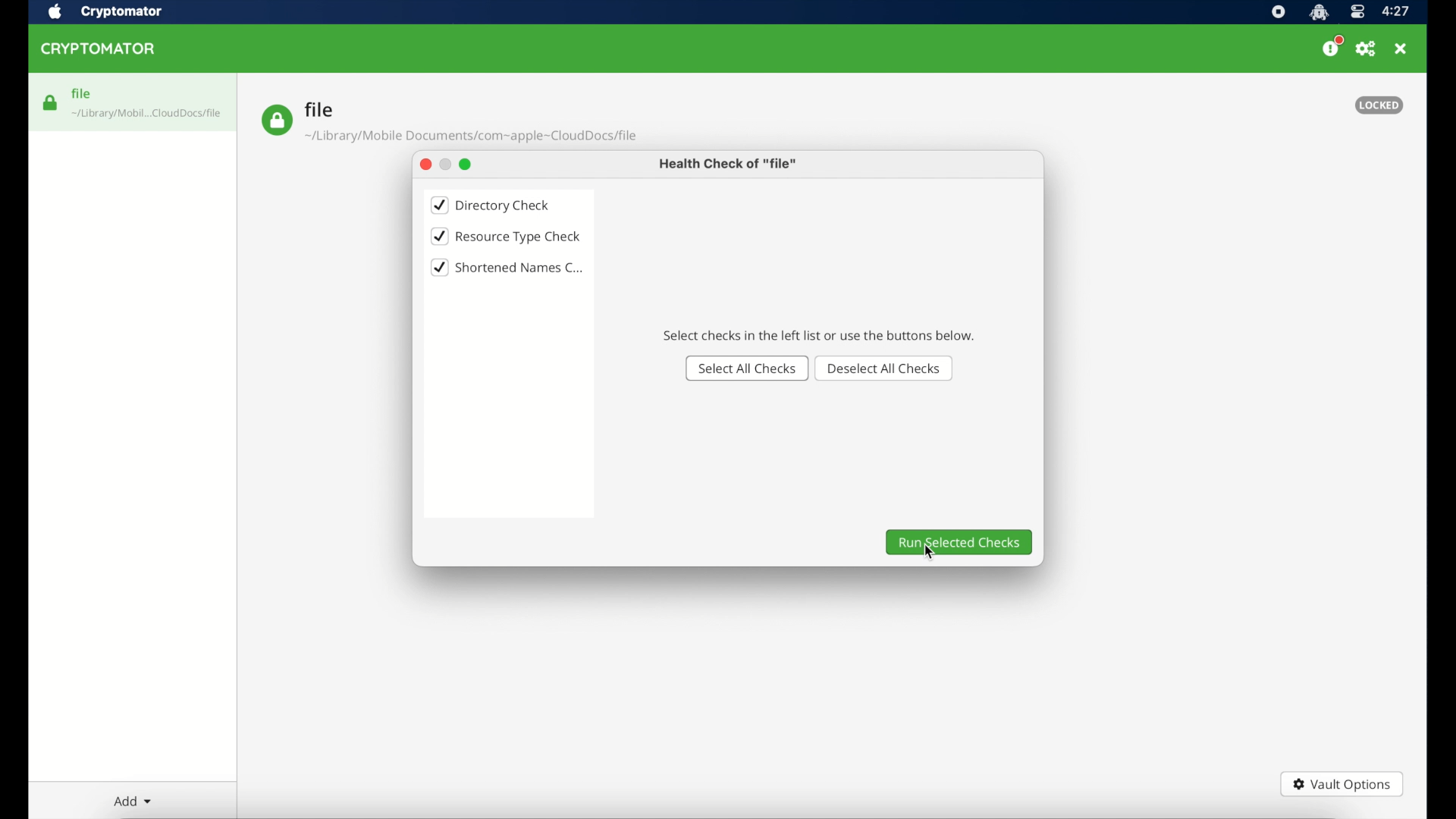 This screenshot has width=1456, height=819. What do you see at coordinates (927, 554) in the screenshot?
I see `cursor` at bounding box center [927, 554].